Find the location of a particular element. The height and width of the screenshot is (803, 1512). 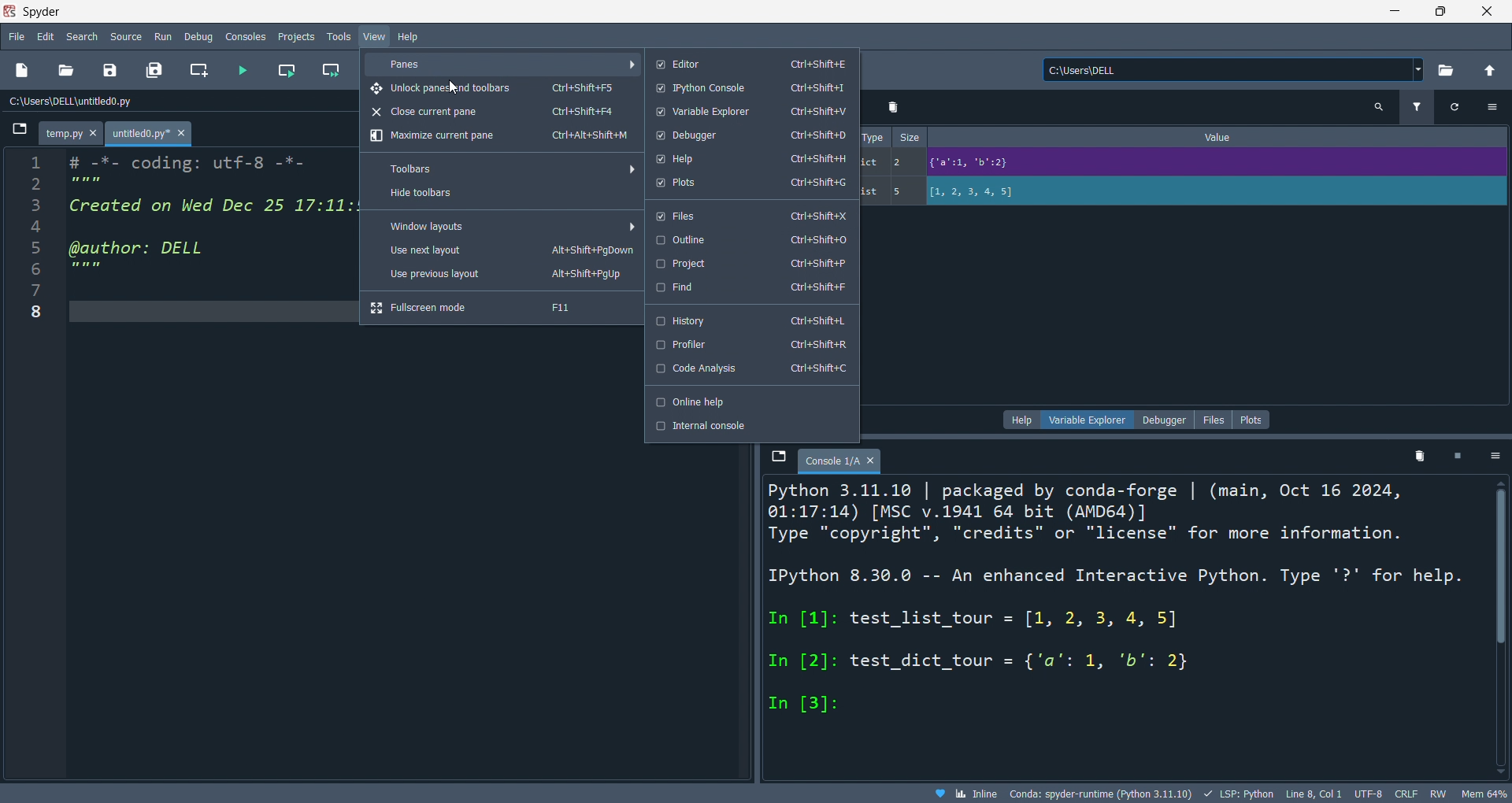

new file is located at coordinates (24, 71).